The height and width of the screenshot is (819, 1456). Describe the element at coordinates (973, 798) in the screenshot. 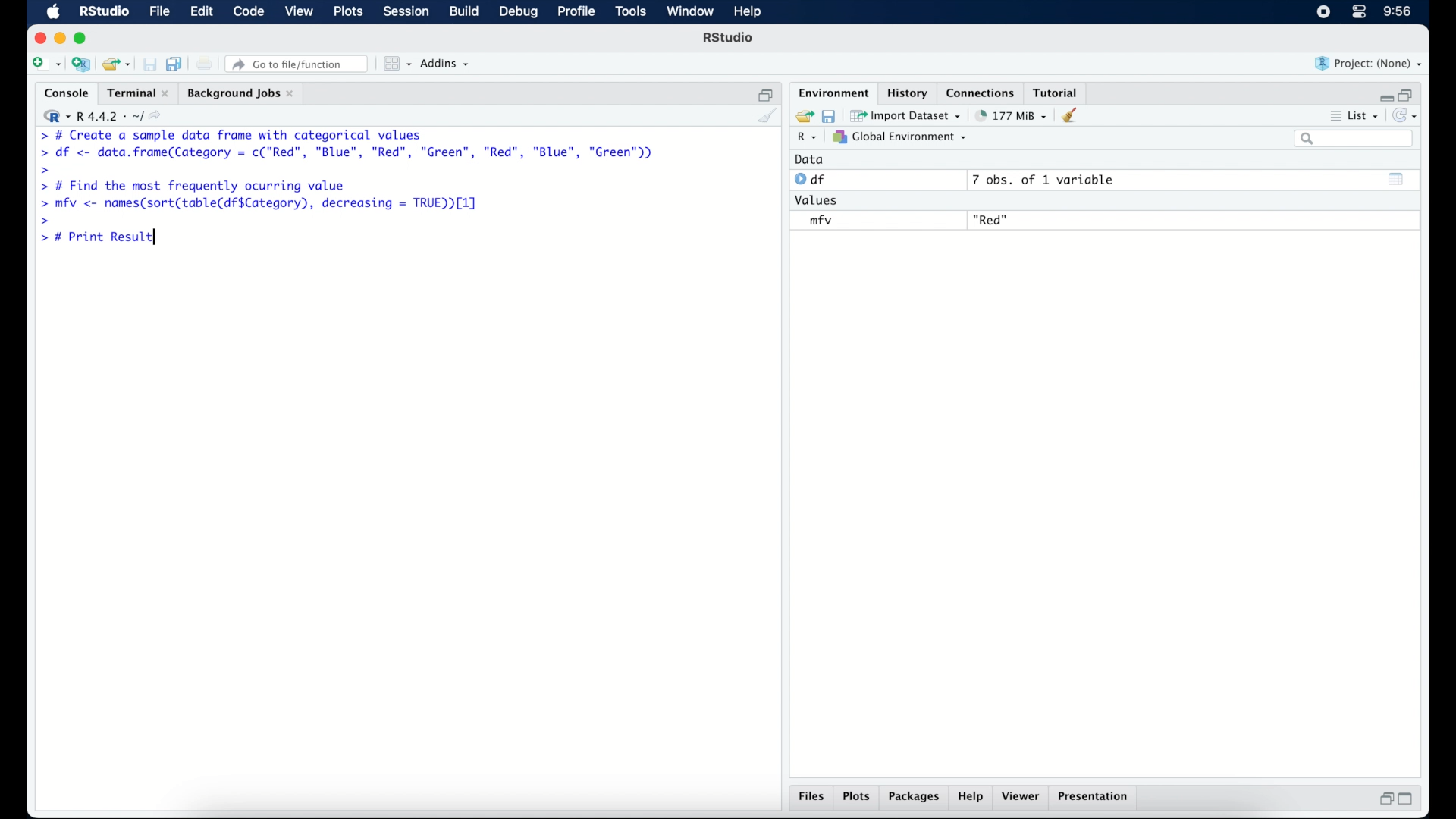

I see `help` at that location.